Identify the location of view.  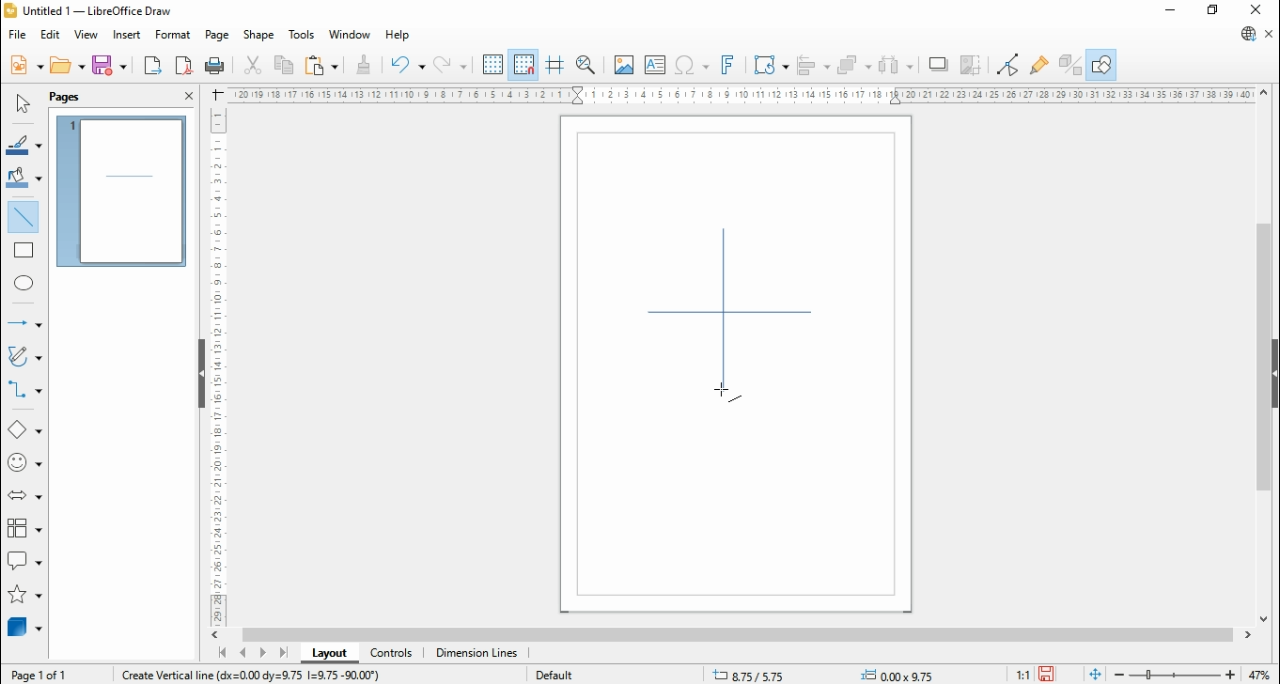
(86, 36).